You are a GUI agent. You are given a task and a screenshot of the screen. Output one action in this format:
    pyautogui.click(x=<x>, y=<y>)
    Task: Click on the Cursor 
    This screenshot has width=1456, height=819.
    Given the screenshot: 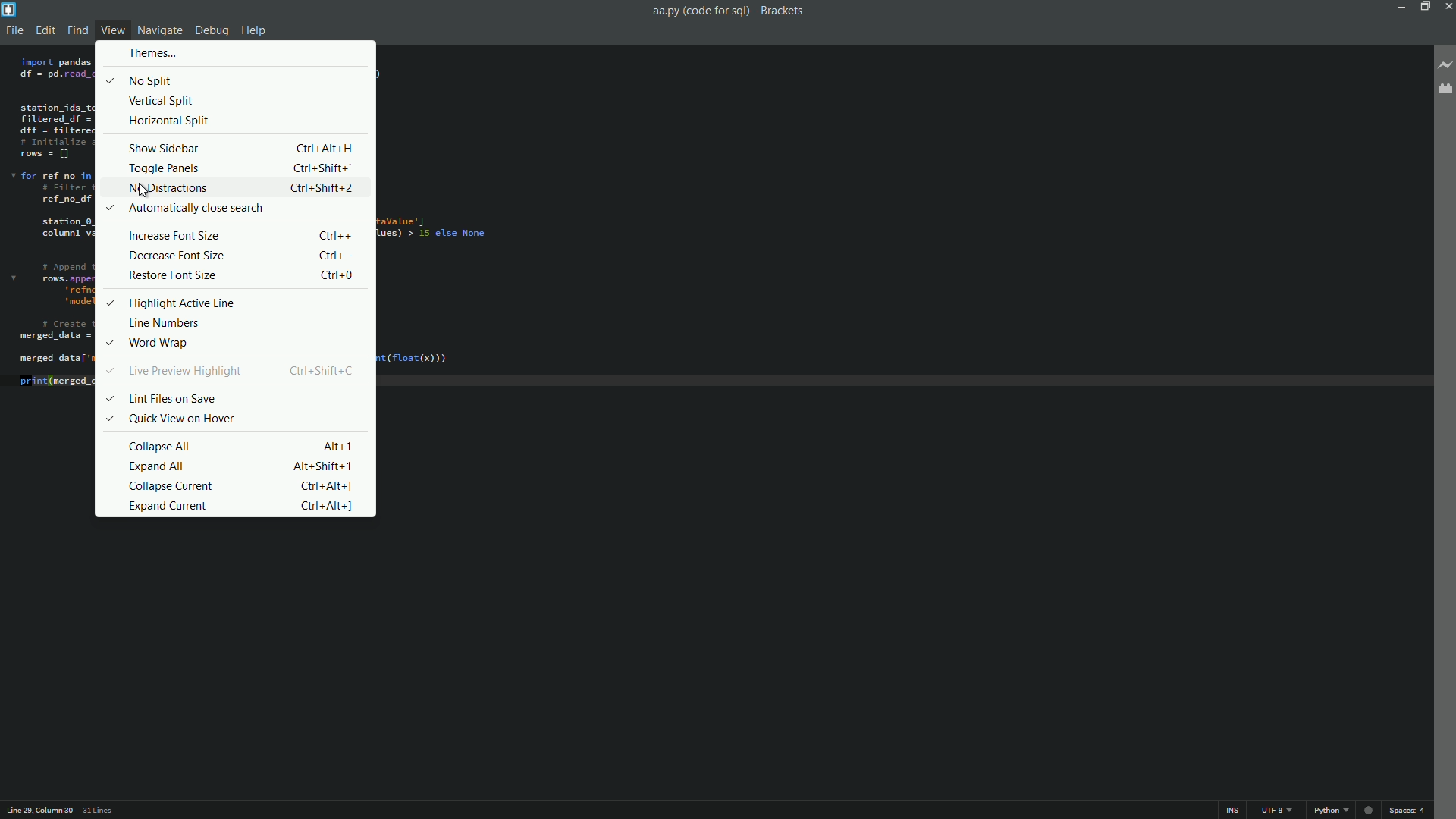 What is the action you would take?
    pyautogui.click(x=146, y=190)
    